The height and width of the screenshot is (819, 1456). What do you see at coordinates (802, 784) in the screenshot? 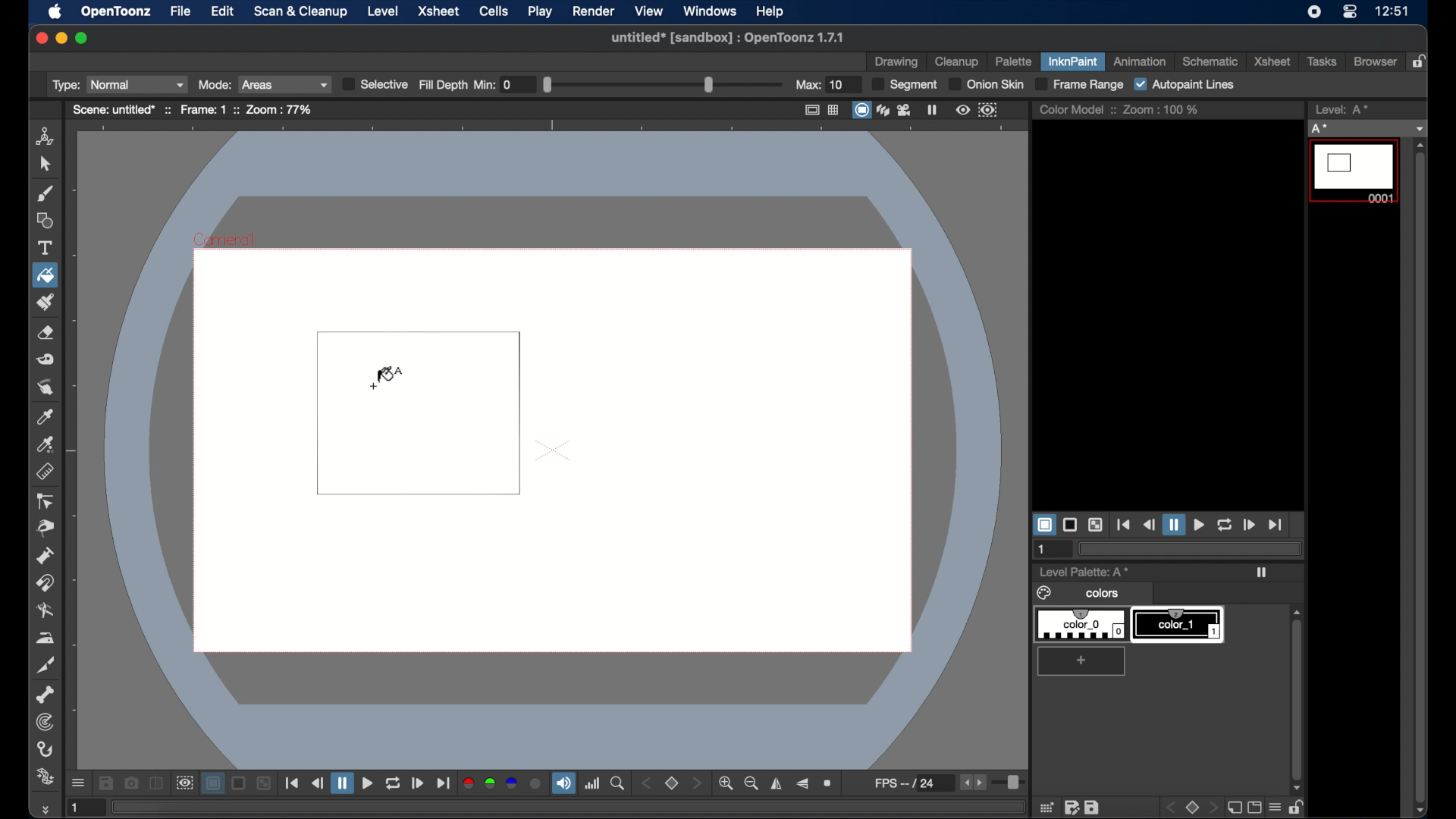
I see `flip vertically` at bounding box center [802, 784].